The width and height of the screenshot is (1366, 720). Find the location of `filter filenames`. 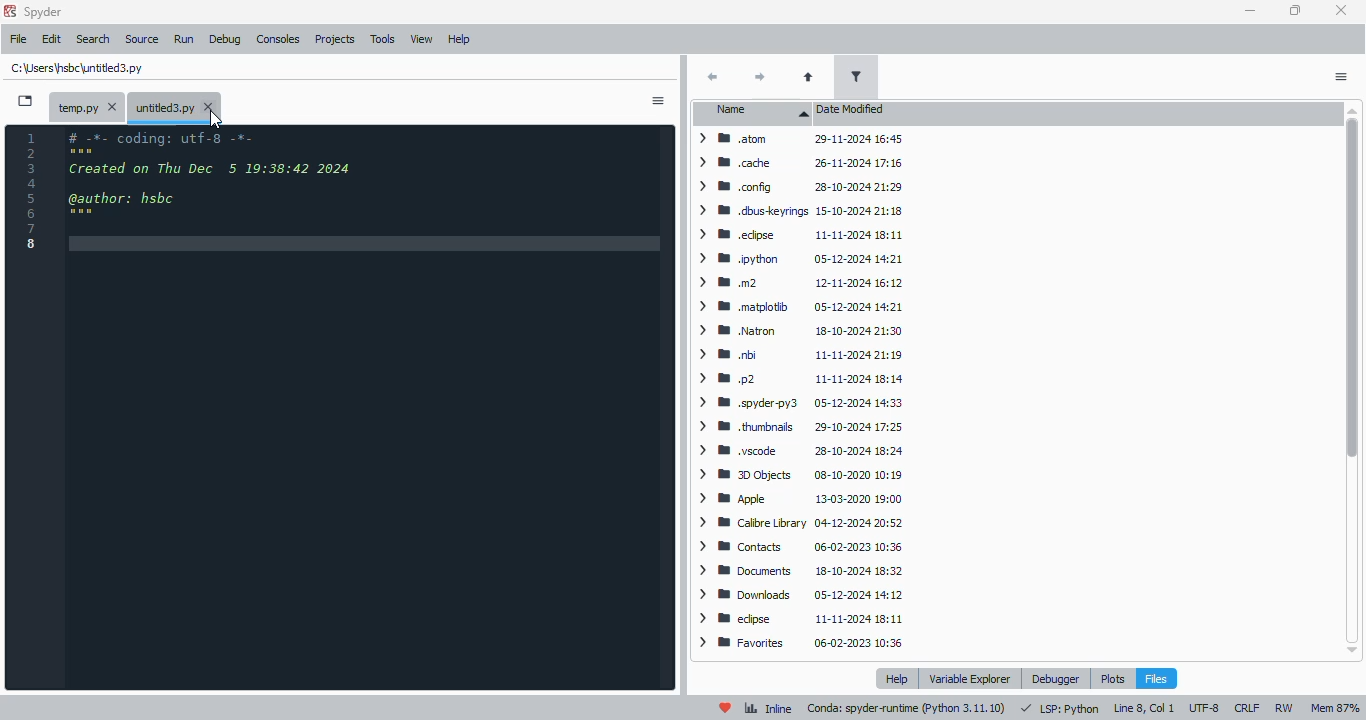

filter filenames is located at coordinates (856, 77).